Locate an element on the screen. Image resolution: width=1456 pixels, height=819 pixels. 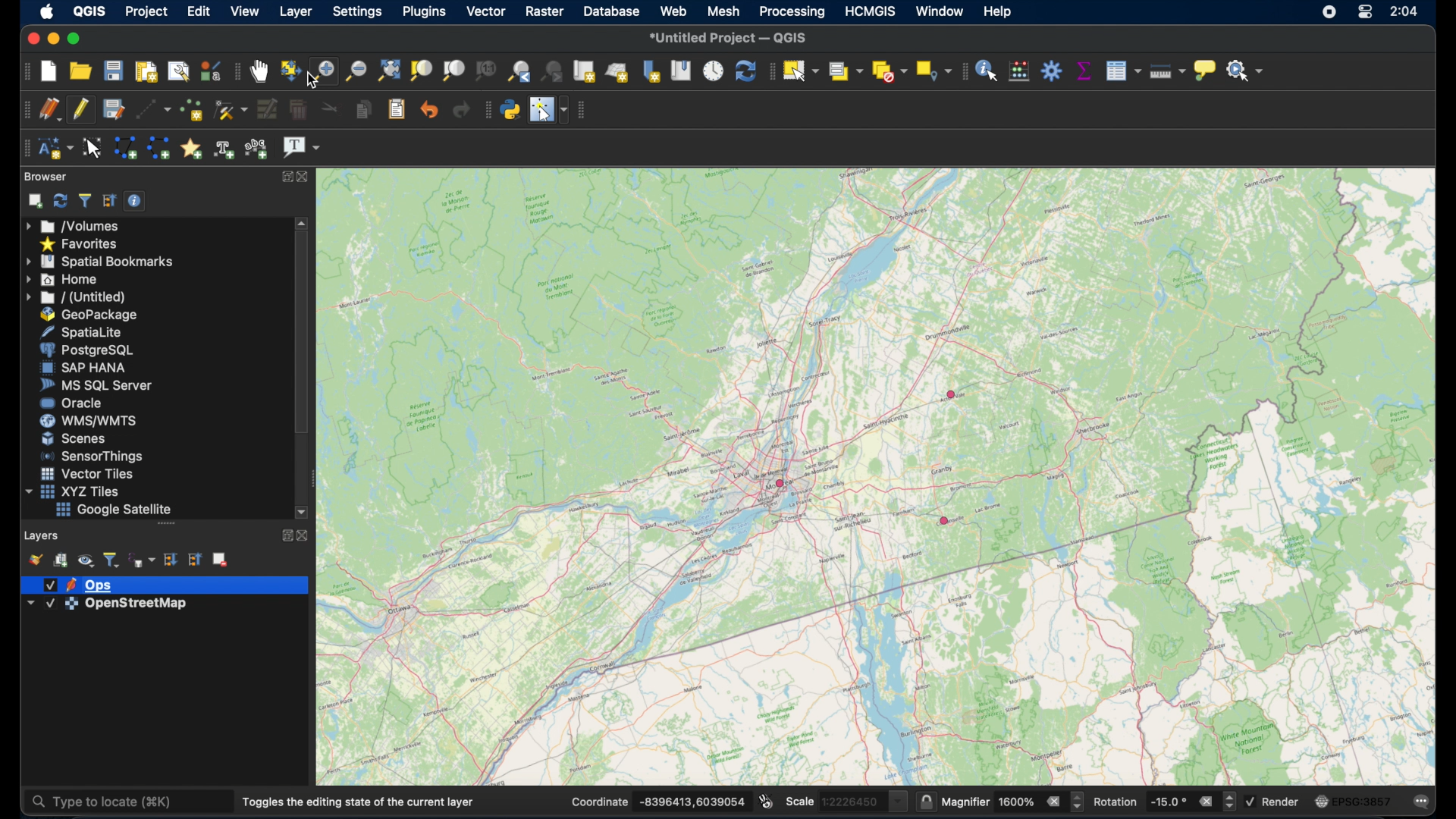
pan map is located at coordinates (260, 71).